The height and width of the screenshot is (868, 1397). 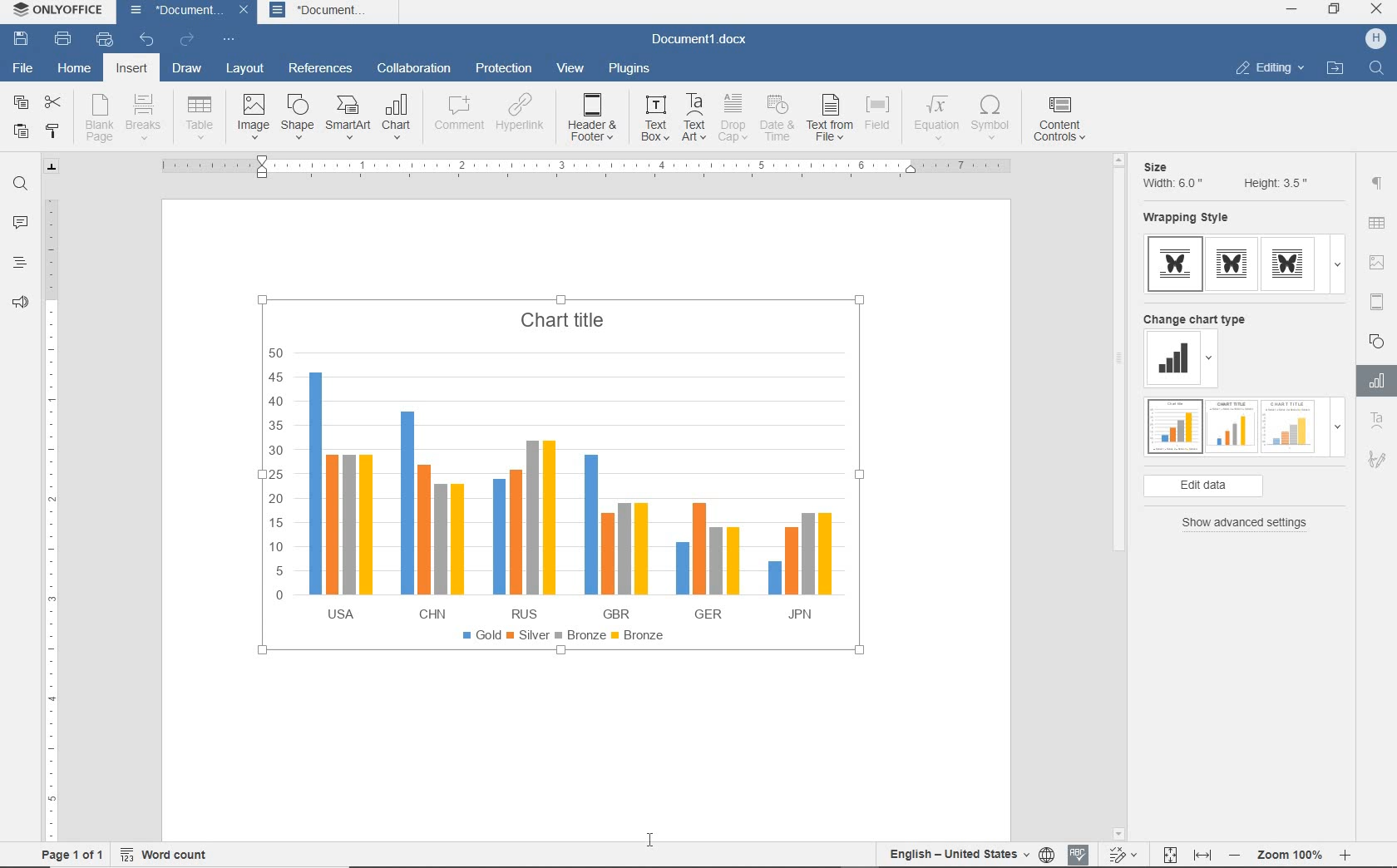 What do you see at coordinates (146, 41) in the screenshot?
I see `undo` at bounding box center [146, 41].